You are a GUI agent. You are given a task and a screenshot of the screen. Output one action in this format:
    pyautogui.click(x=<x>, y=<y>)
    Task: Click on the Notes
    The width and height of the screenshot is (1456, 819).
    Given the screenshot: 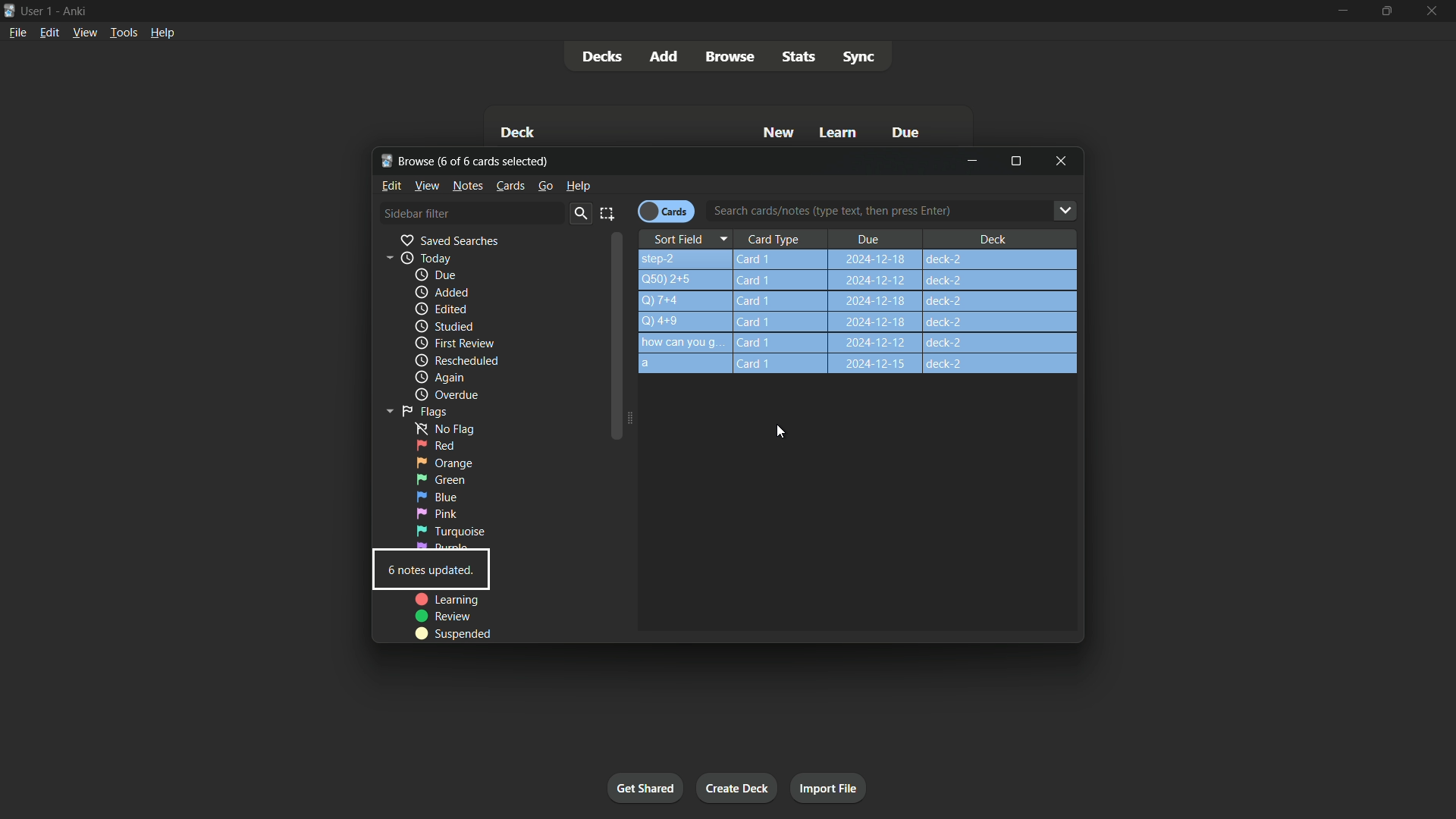 What is the action you would take?
    pyautogui.click(x=469, y=186)
    